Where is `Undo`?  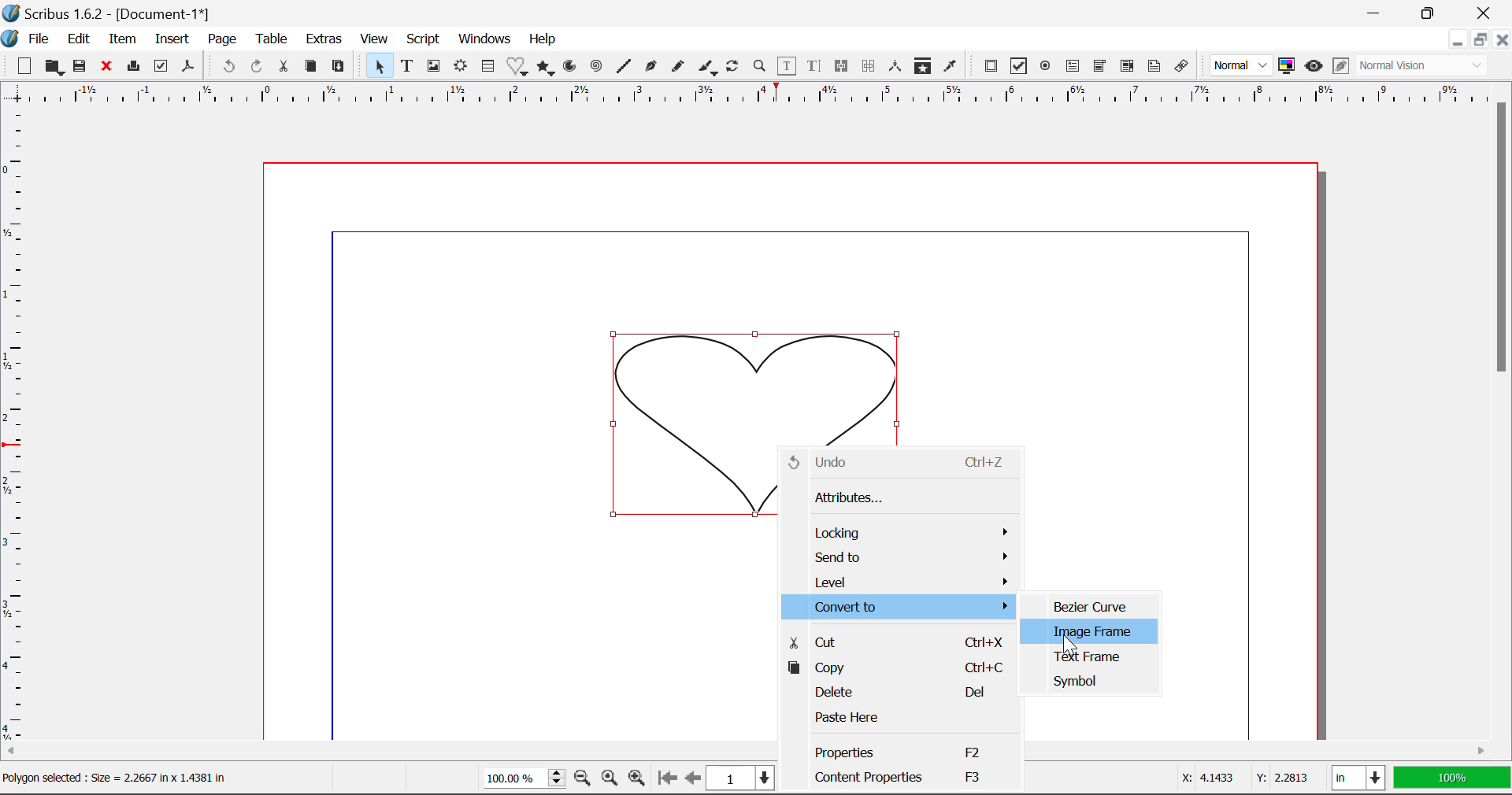 Undo is located at coordinates (899, 463).